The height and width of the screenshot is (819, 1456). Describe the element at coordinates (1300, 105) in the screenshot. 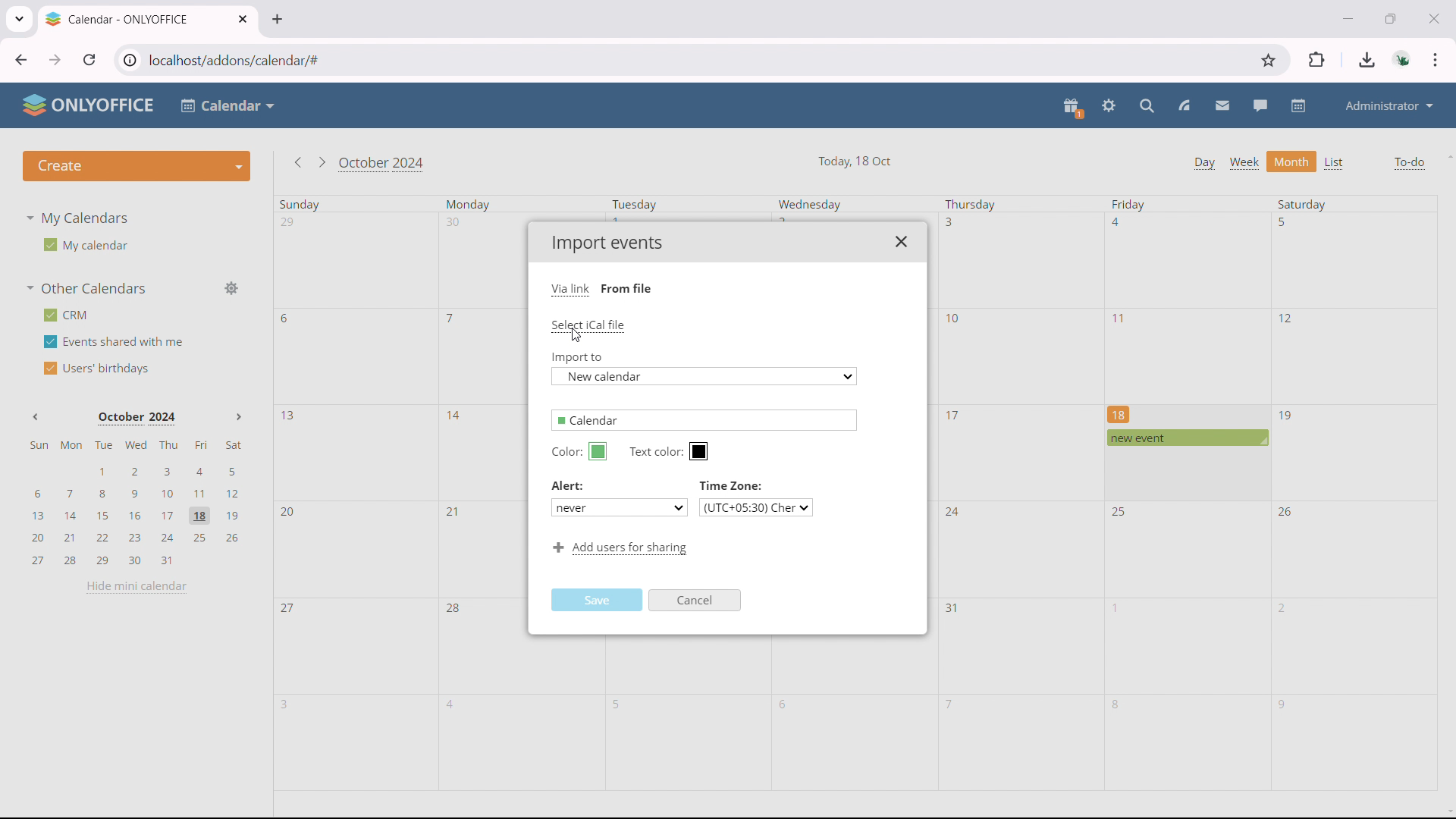

I see `calendar` at that location.